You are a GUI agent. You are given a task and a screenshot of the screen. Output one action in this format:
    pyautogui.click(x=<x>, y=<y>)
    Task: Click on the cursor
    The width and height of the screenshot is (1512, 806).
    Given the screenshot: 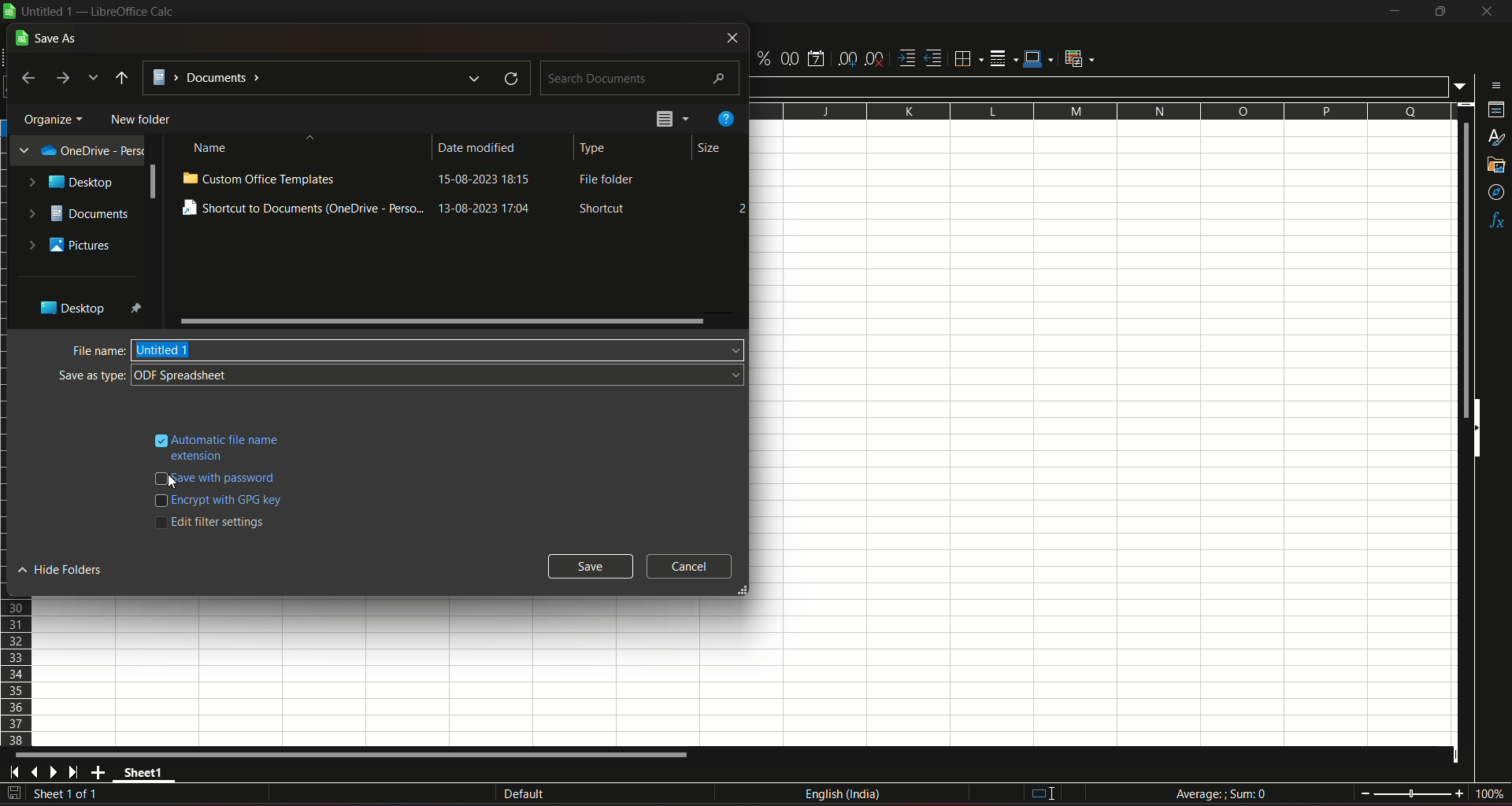 What is the action you would take?
    pyautogui.click(x=173, y=482)
    